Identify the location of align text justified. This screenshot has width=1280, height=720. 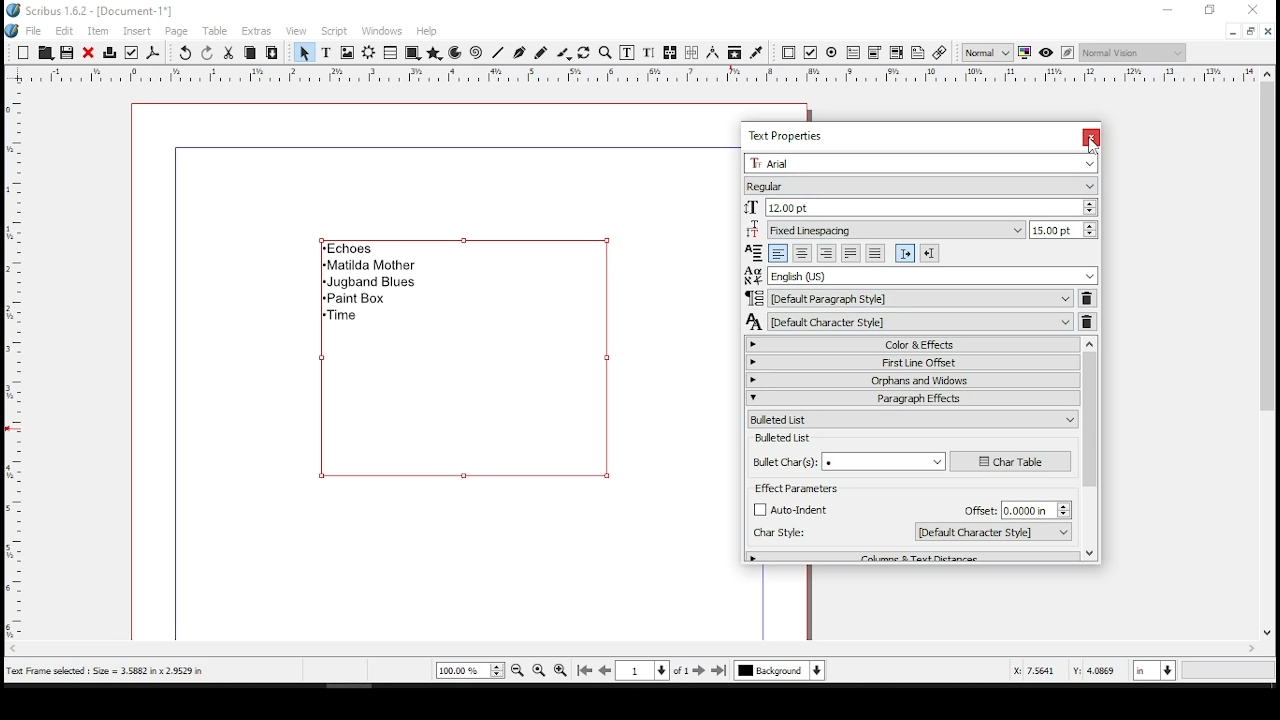
(850, 253).